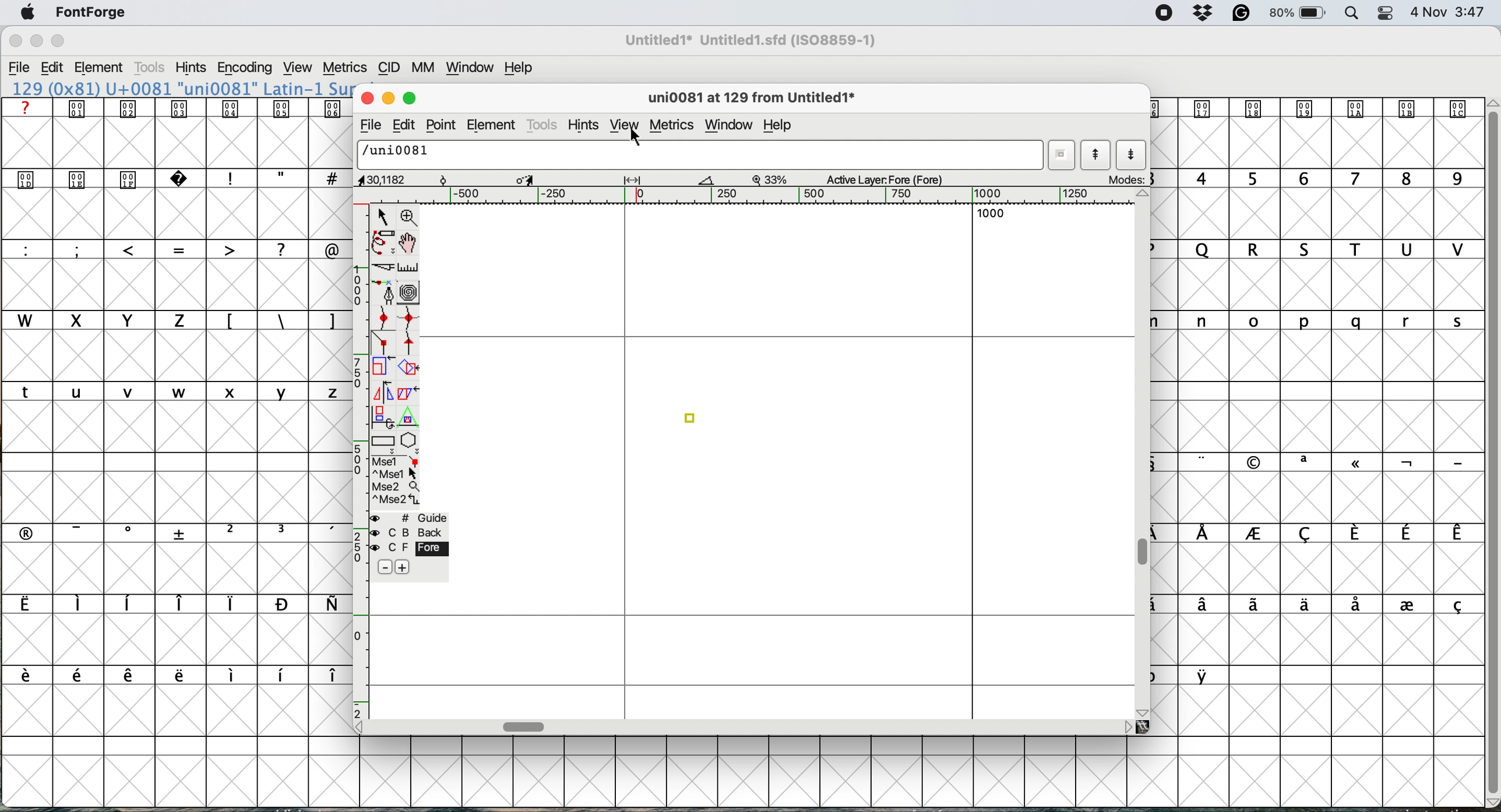 The image size is (1501, 812). Describe the element at coordinates (1127, 728) in the screenshot. I see `Scroll Button` at that location.